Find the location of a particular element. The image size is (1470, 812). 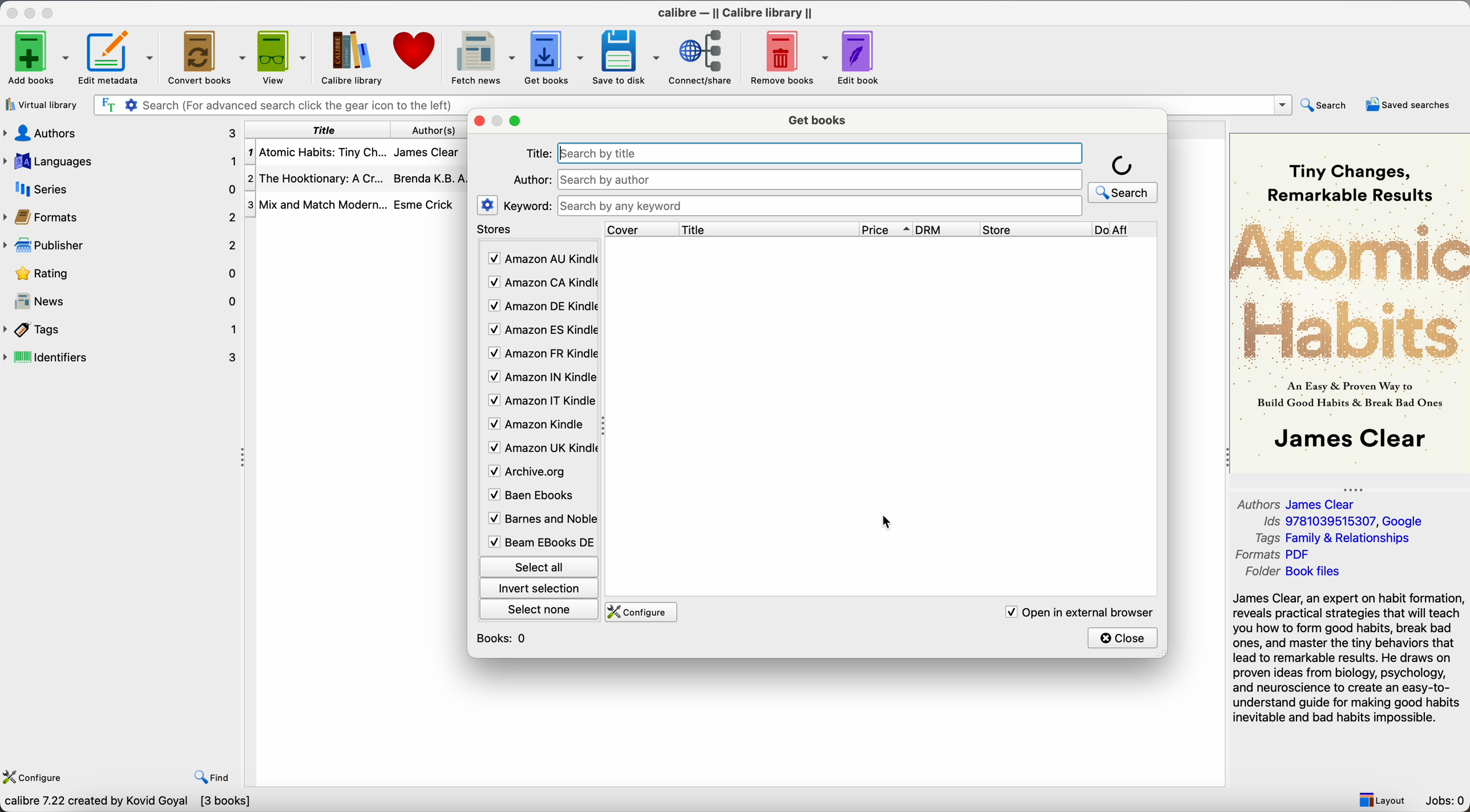

James Clear is located at coordinates (430, 155).